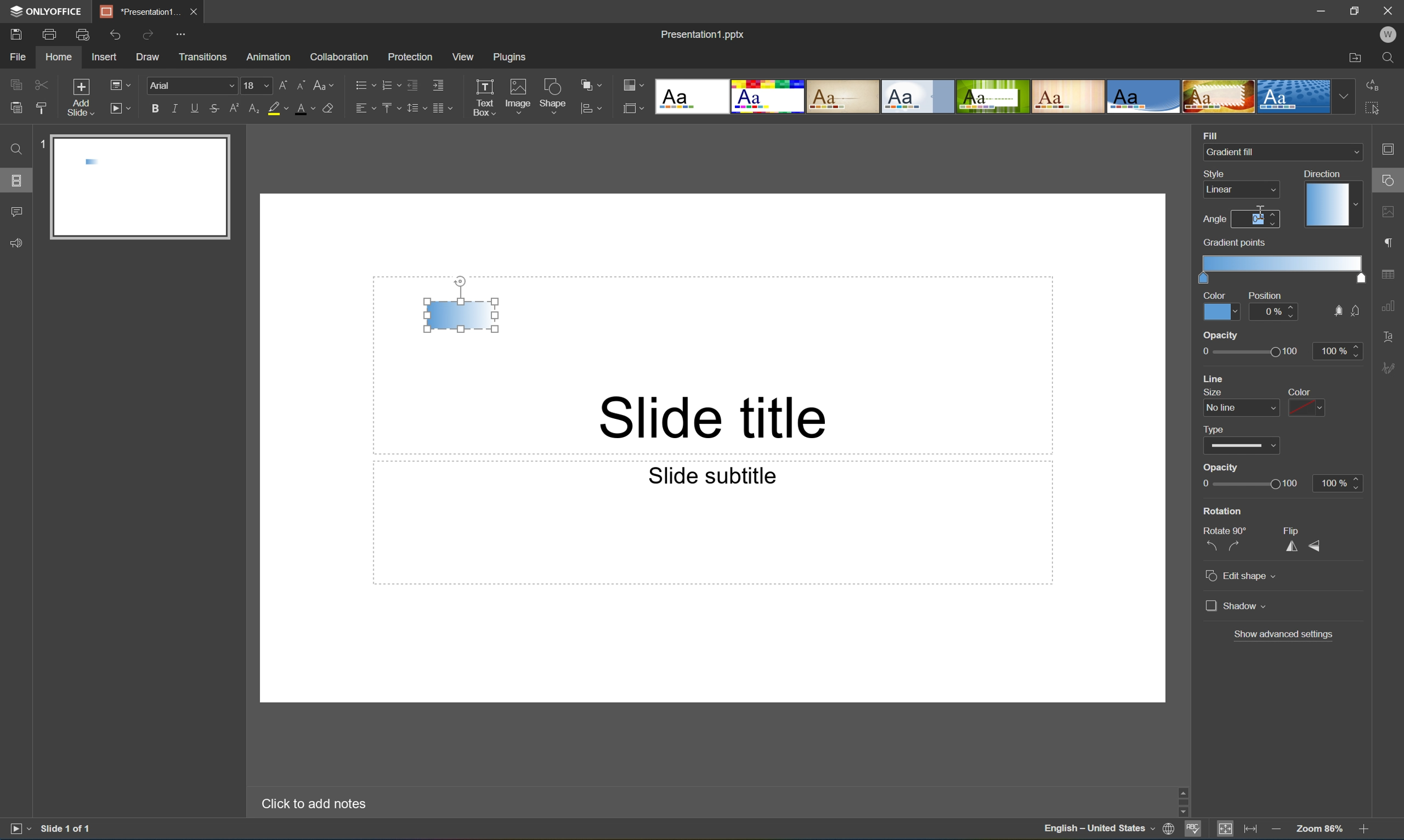 Image resolution: width=1404 pixels, height=840 pixels. What do you see at coordinates (1222, 335) in the screenshot?
I see `opacity` at bounding box center [1222, 335].